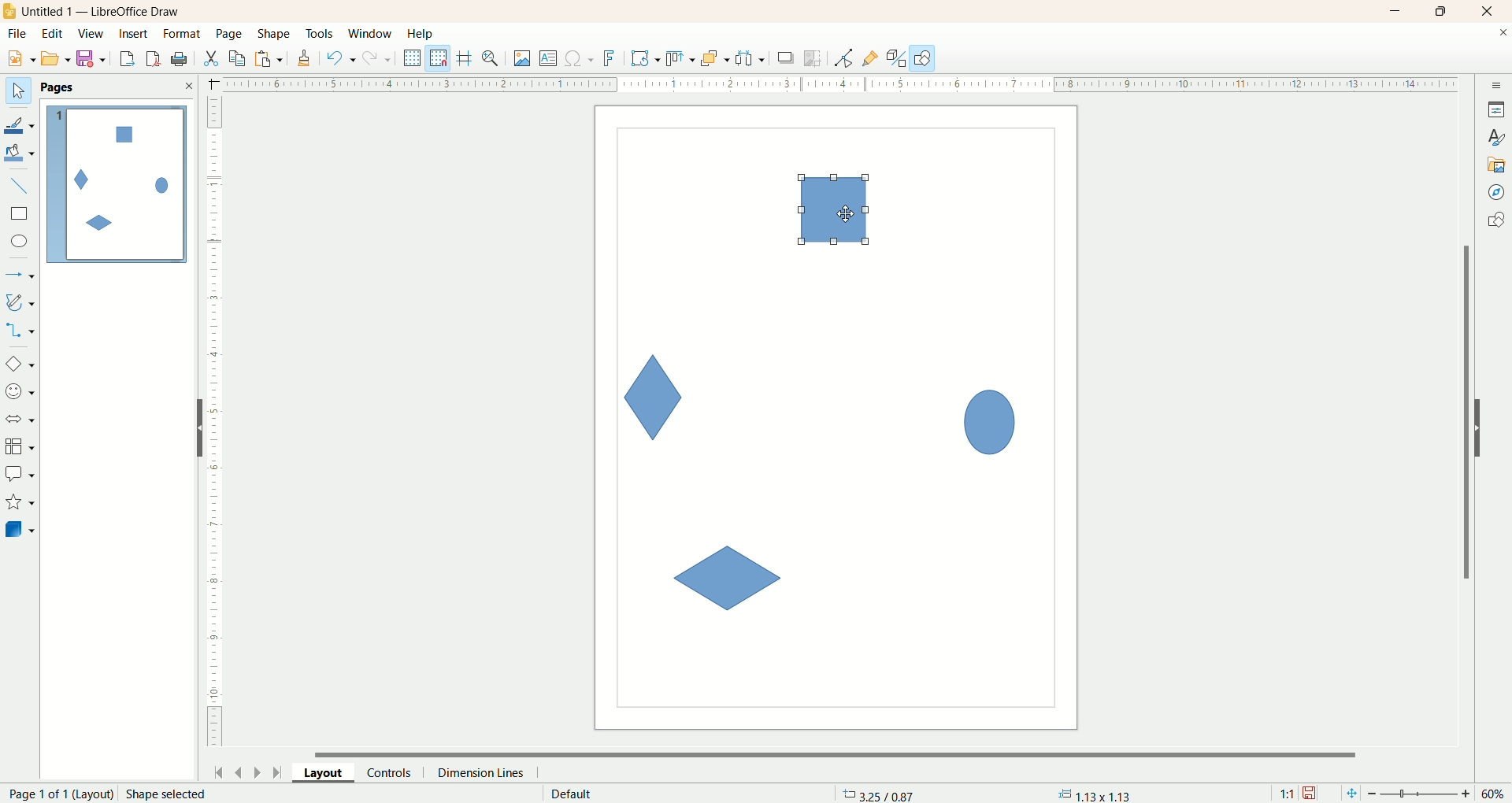  I want to click on basic shape, so click(19, 363).